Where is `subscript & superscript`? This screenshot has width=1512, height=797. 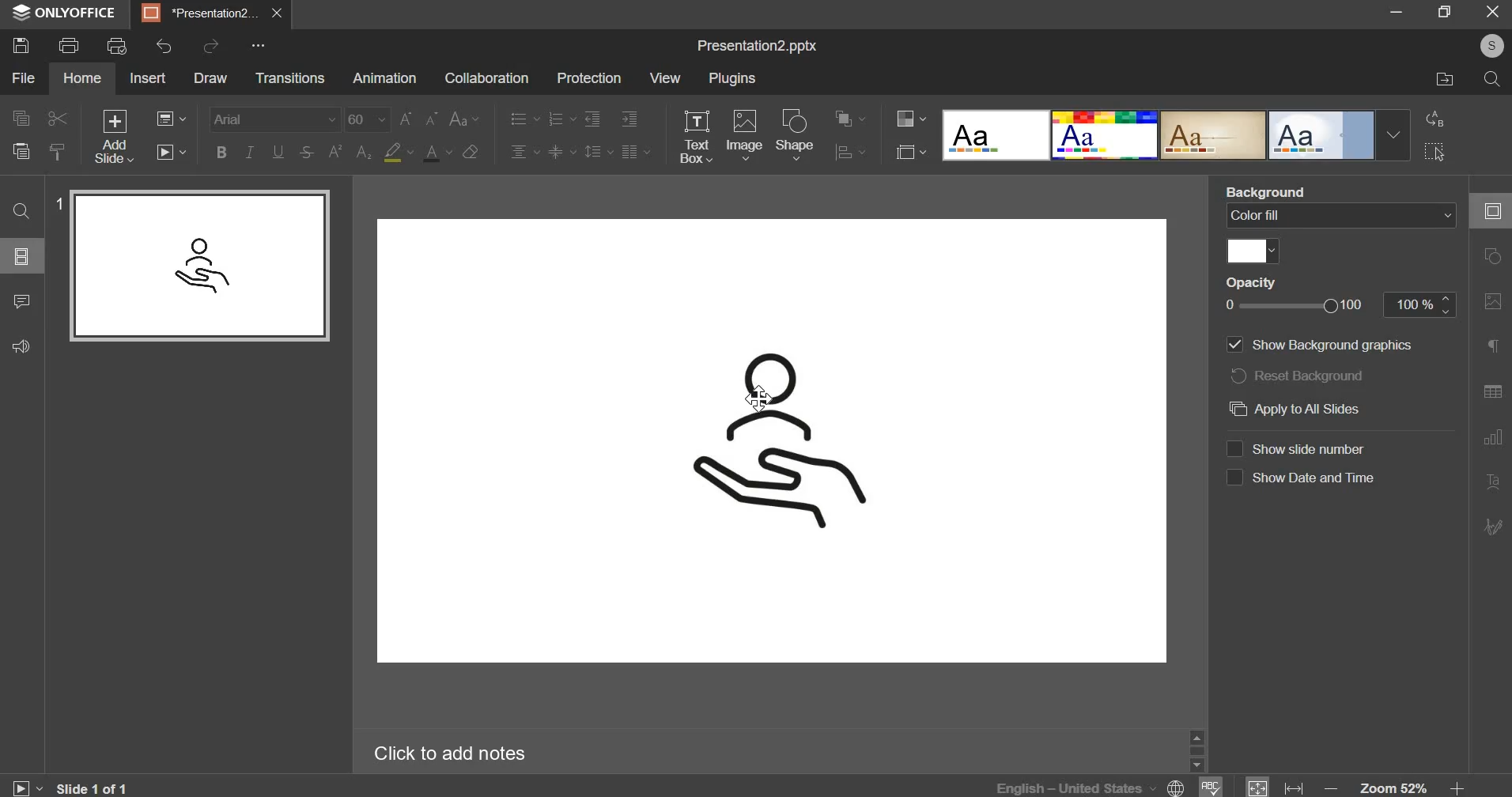 subscript & superscript is located at coordinates (348, 153).